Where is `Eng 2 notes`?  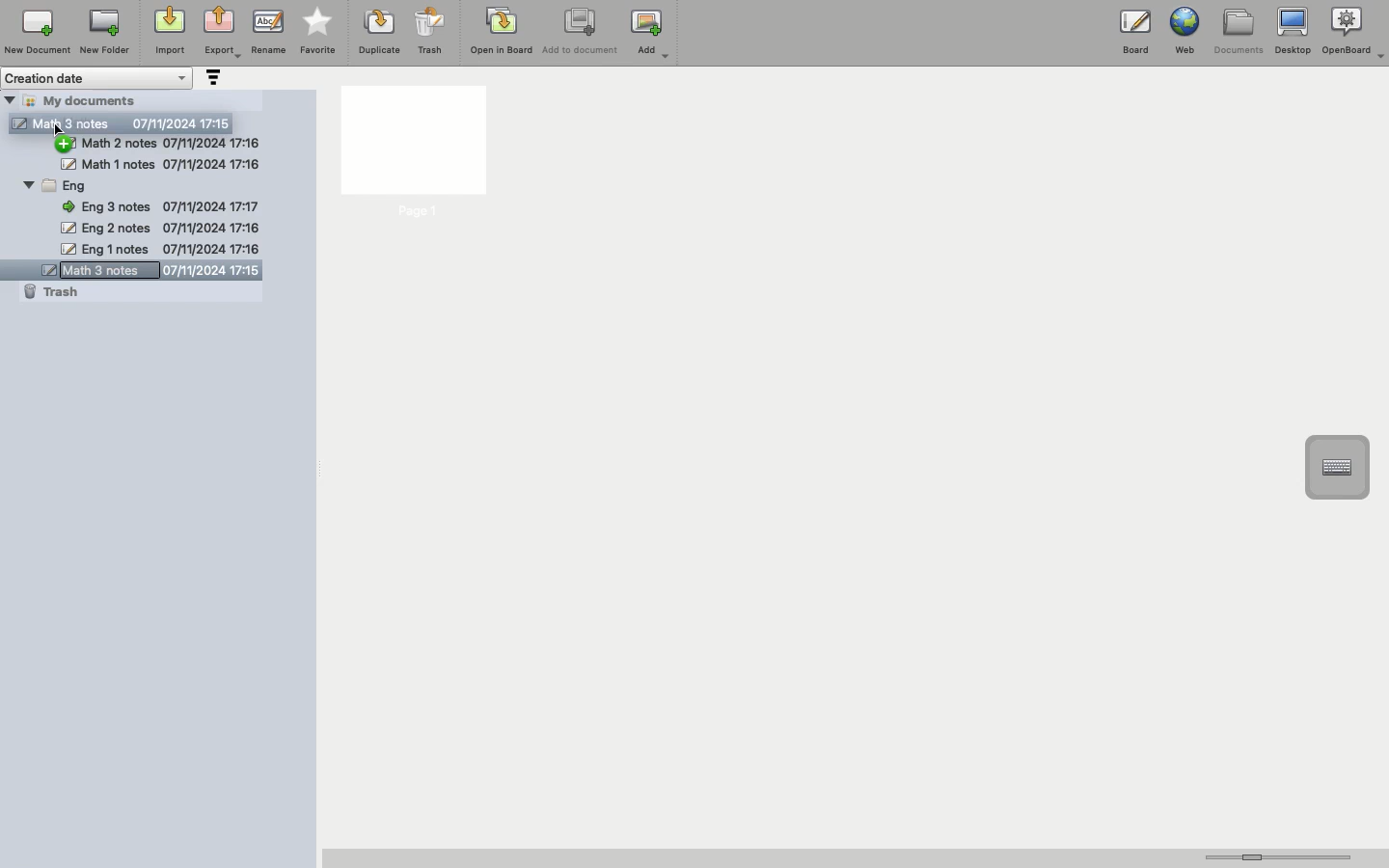 Eng 2 notes is located at coordinates (159, 230).